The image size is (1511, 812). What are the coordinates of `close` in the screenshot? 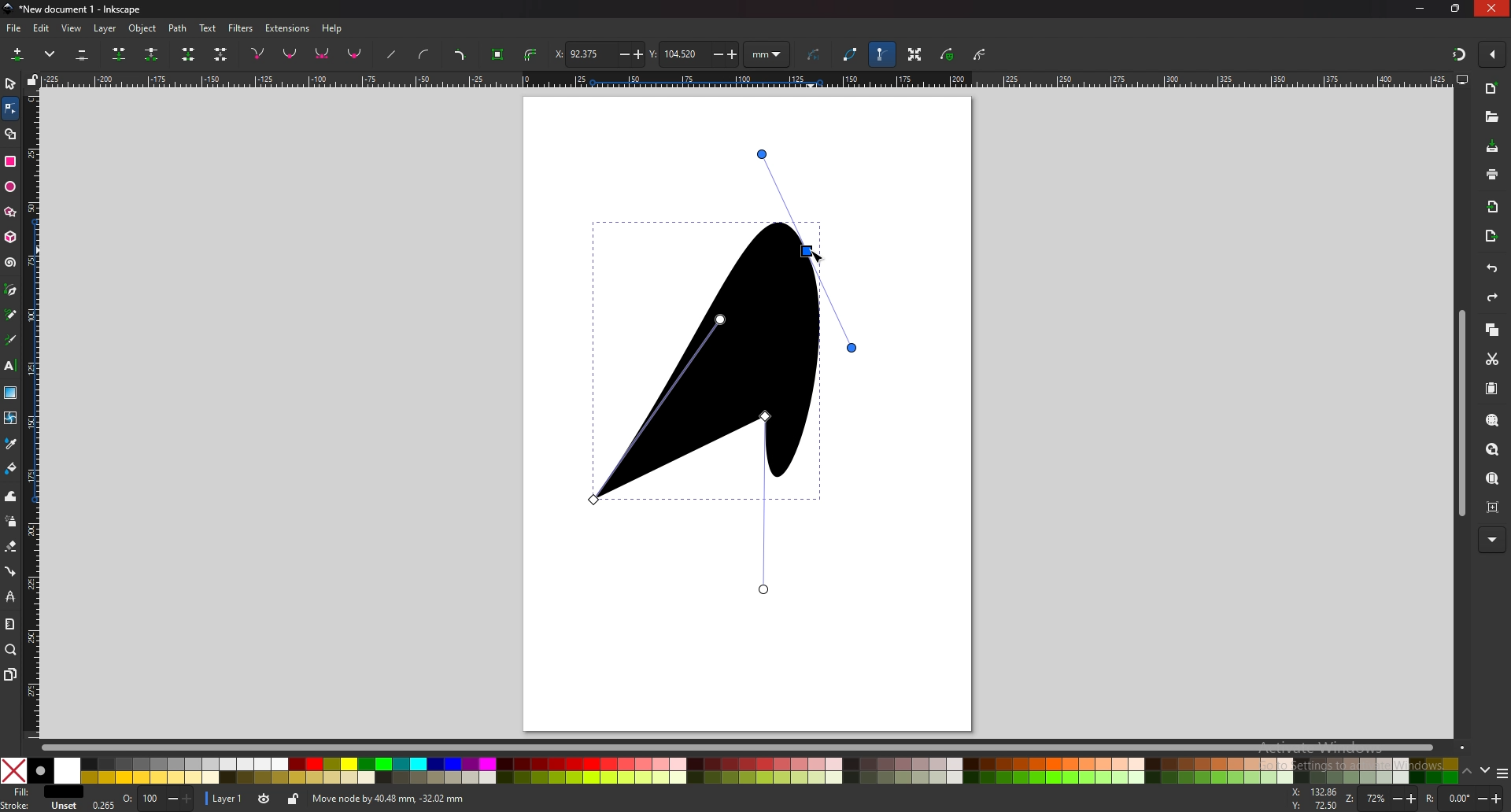 It's located at (1491, 8).